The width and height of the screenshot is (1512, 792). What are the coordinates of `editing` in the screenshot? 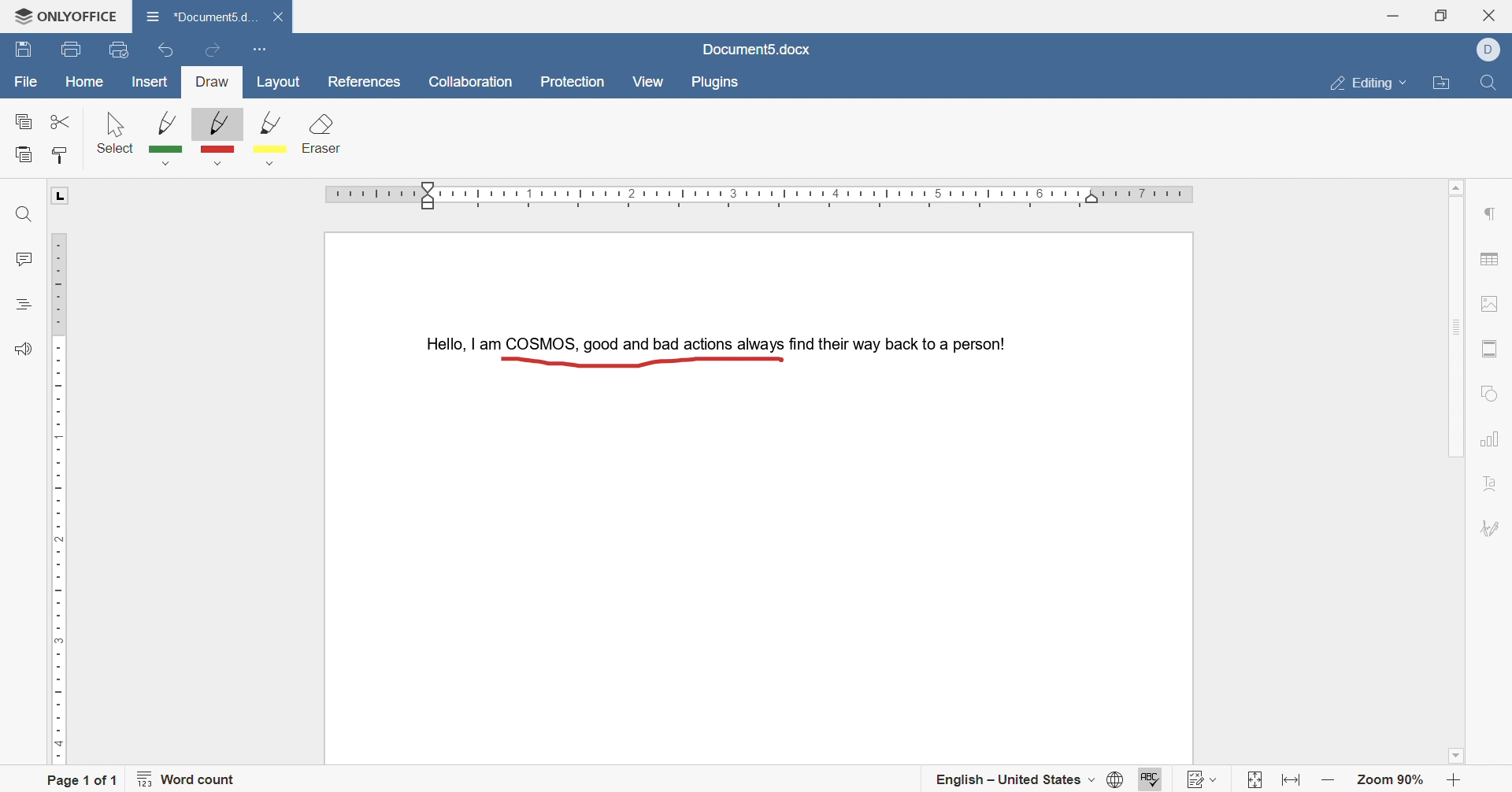 It's located at (1369, 81).